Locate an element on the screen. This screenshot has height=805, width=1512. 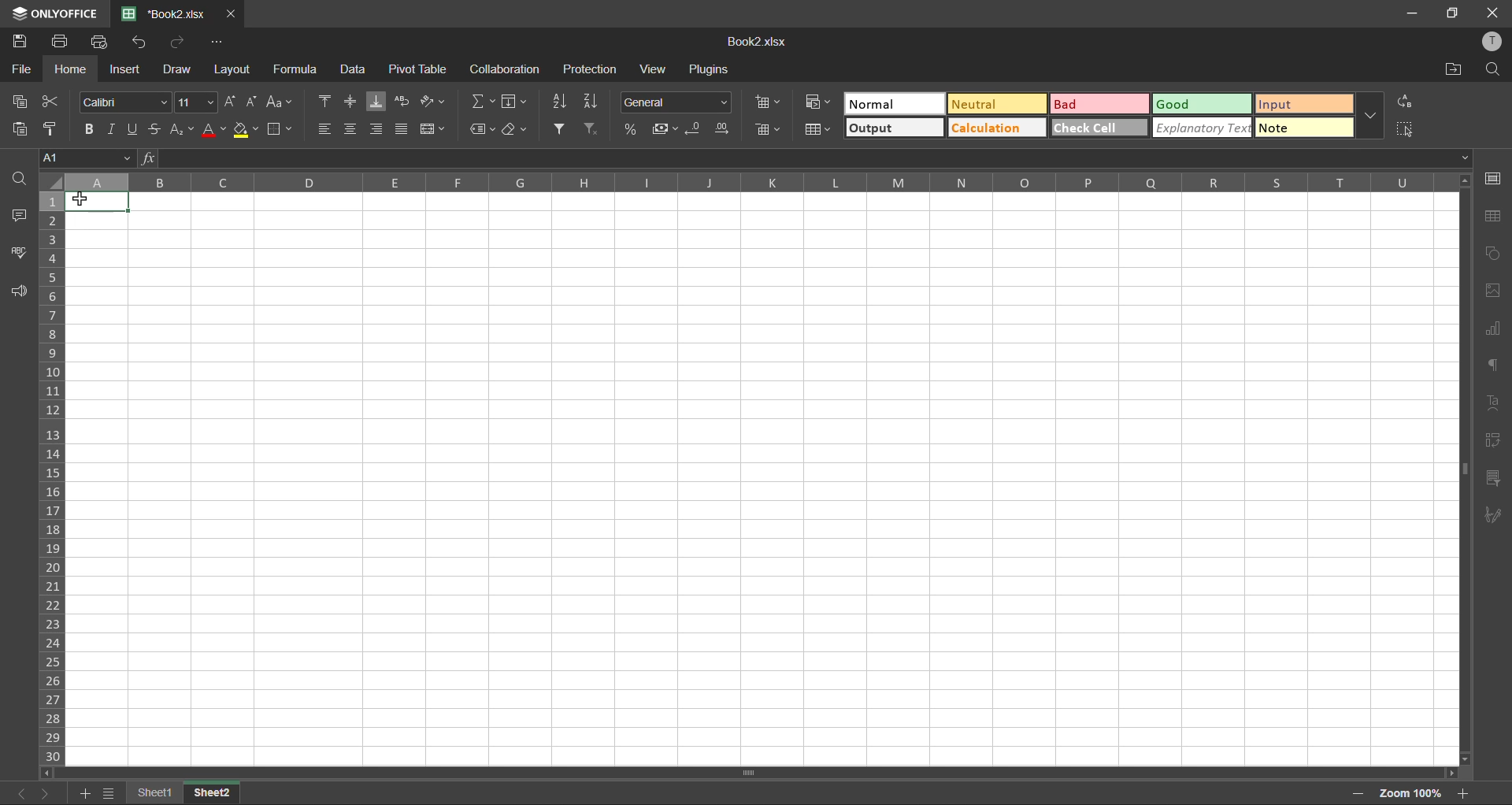
explanatory text is located at coordinates (1203, 127).